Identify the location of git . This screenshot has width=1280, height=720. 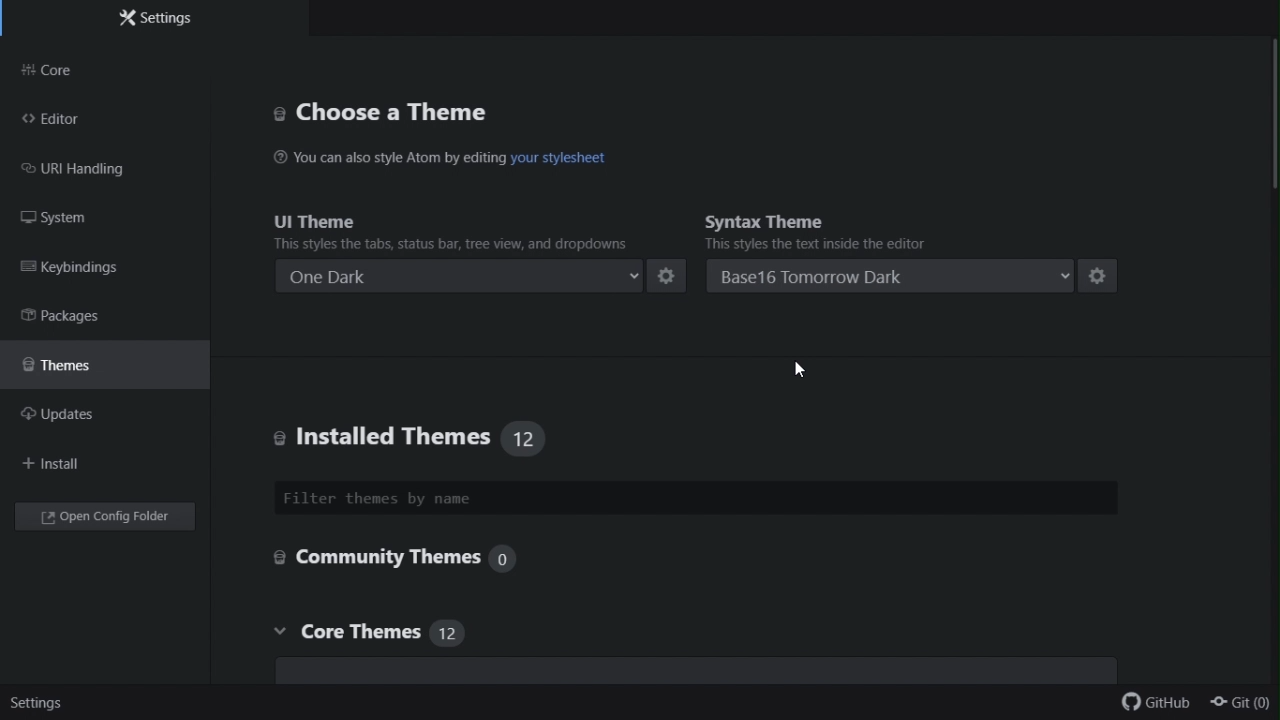
(1246, 702).